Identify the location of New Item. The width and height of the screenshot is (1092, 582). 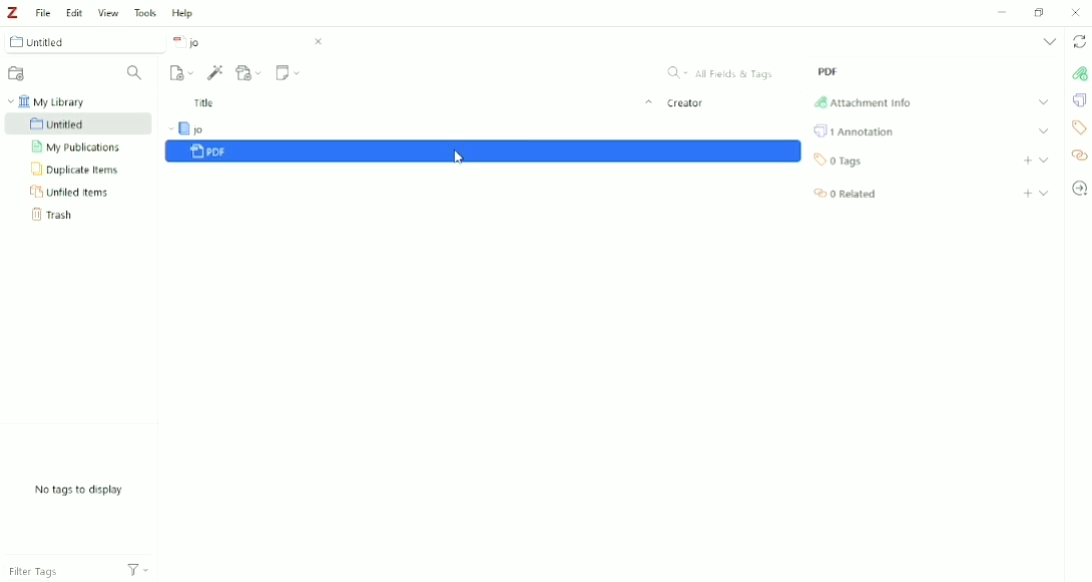
(183, 73).